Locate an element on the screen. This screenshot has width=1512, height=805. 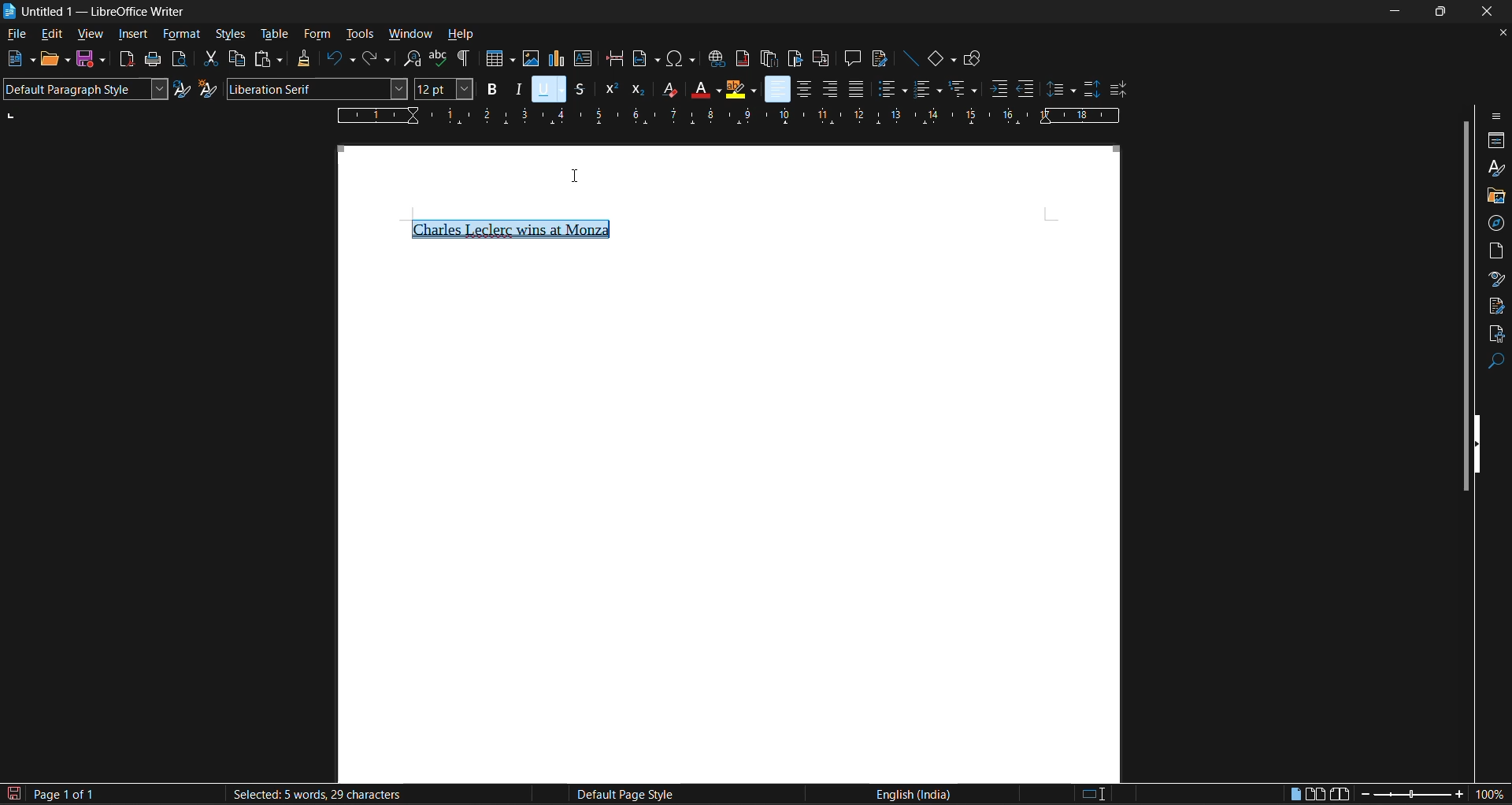
table is located at coordinates (273, 35).